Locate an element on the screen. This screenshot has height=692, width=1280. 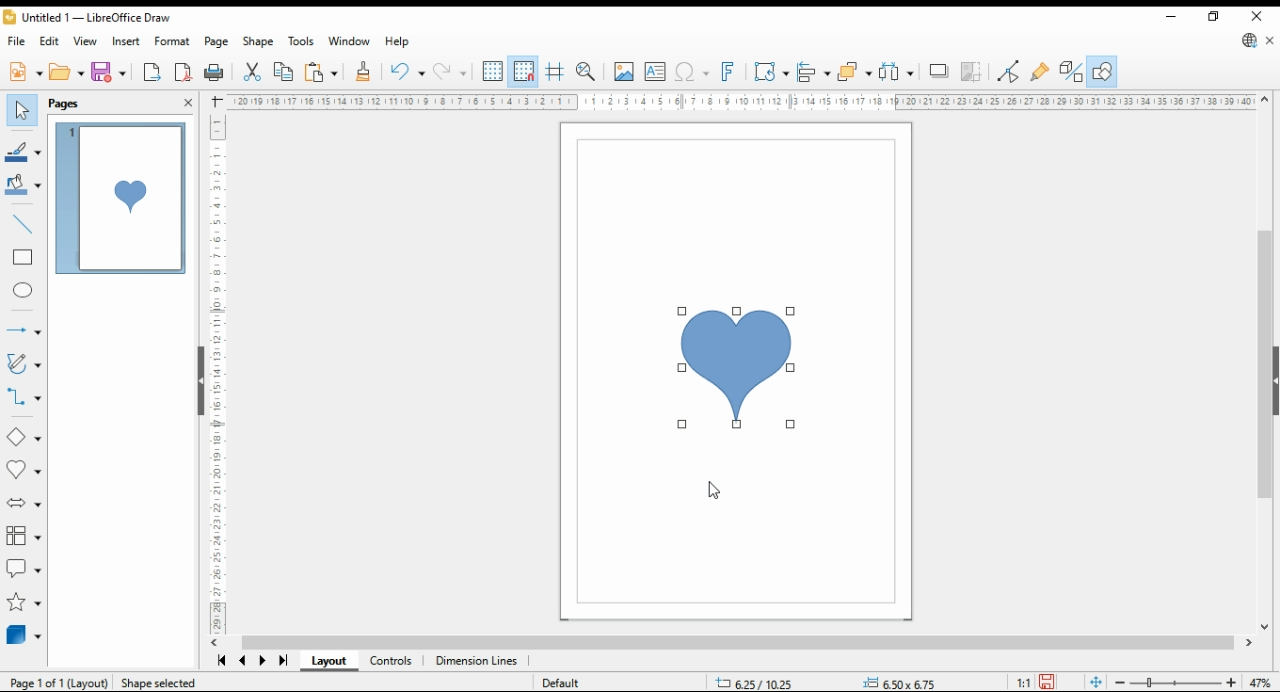
3D objects is located at coordinates (23, 635).